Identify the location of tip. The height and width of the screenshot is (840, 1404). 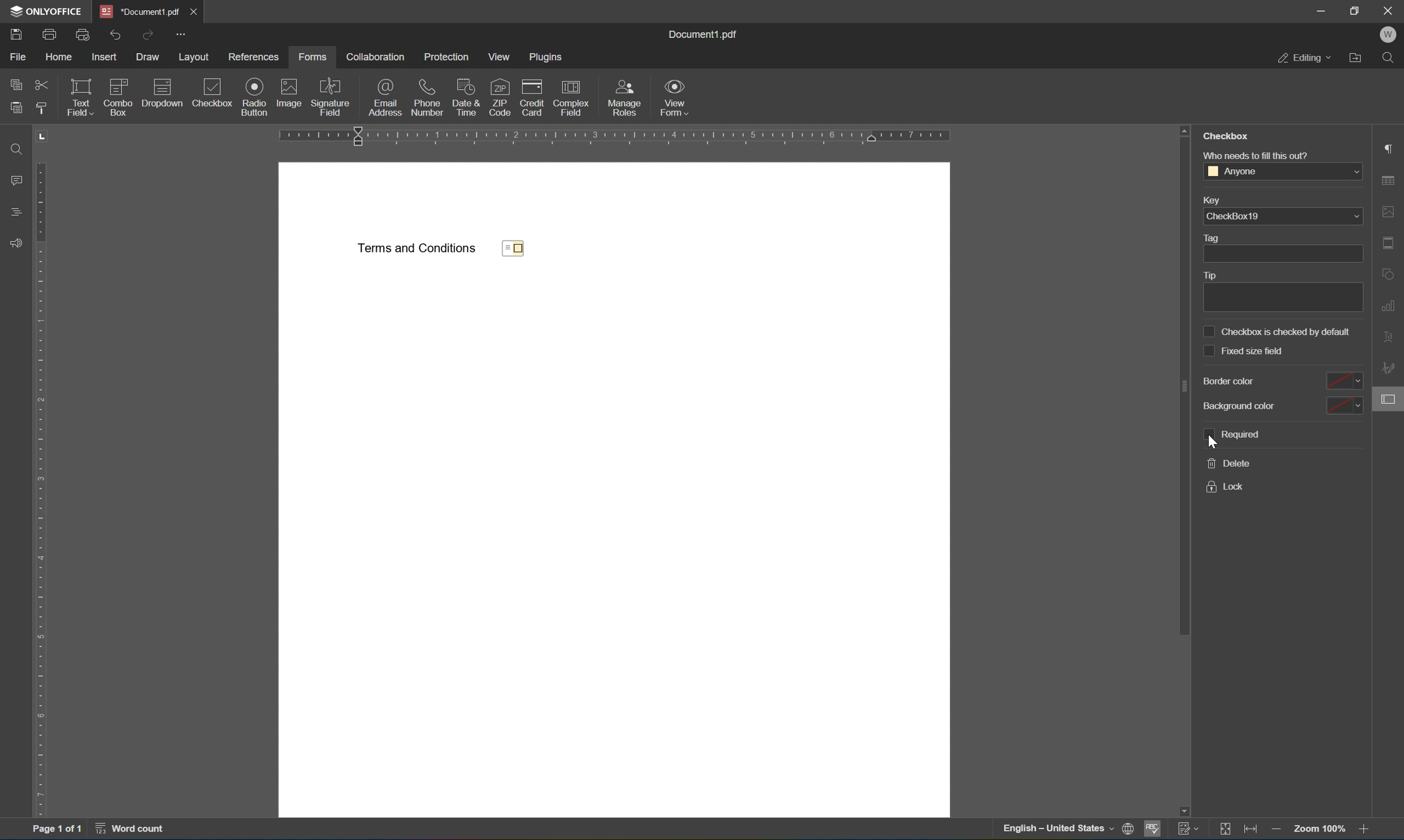
(1281, 290).